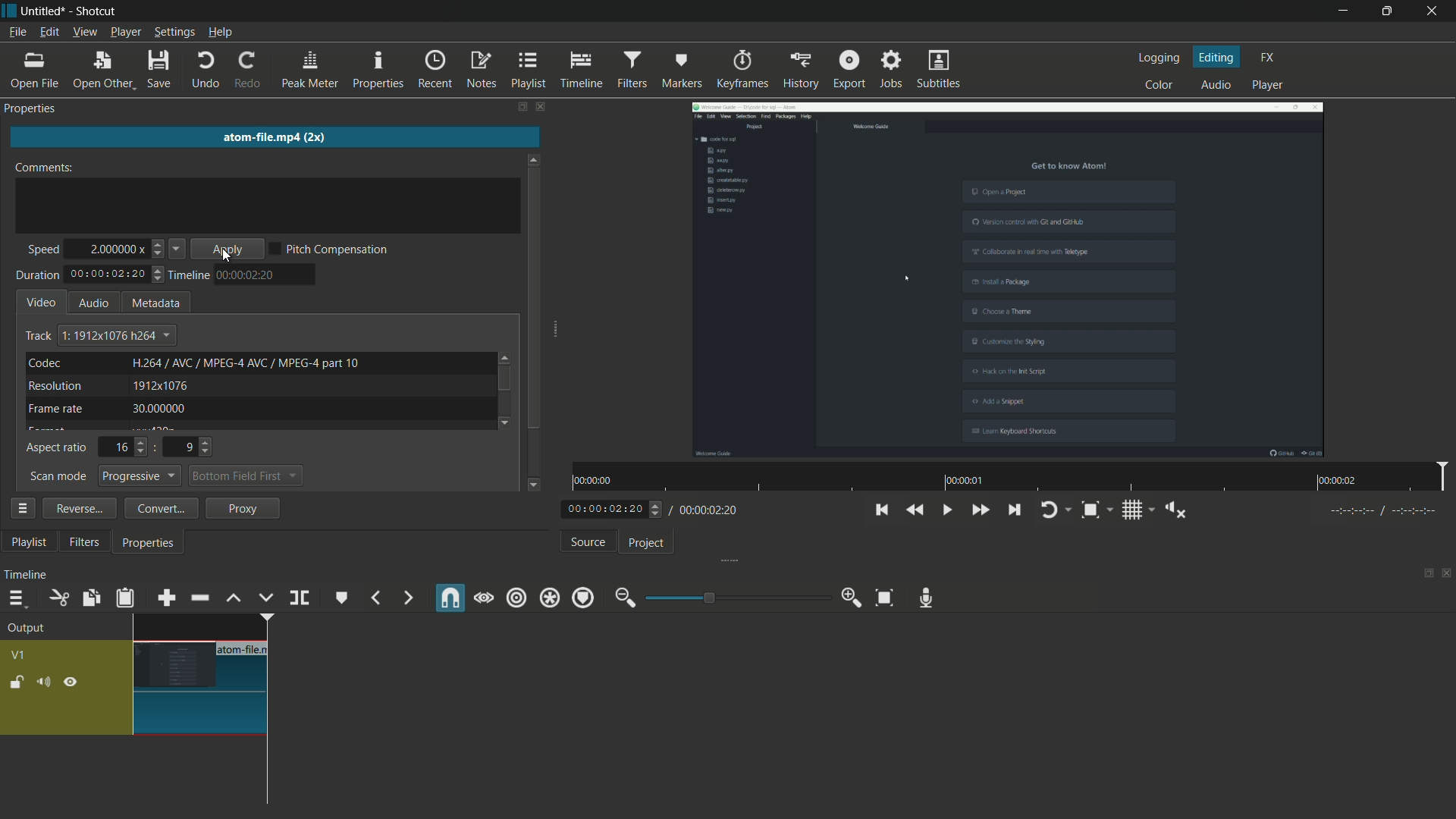 This screenshot has width=1456, height=819. I want to click on quickly play backward, so click(915, 510).